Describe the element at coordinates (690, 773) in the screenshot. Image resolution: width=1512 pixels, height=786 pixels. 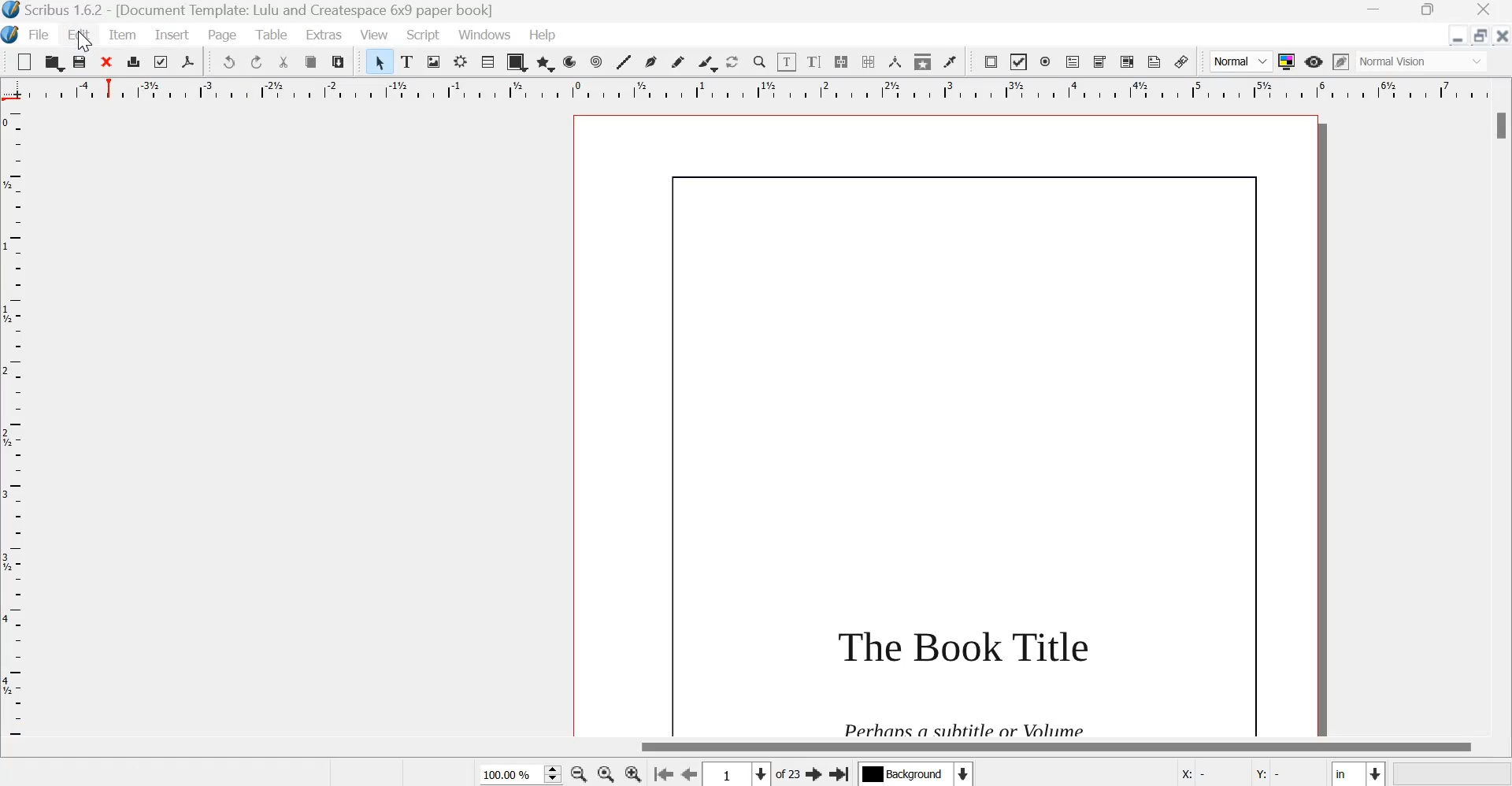
I see `Go to the previous page` at that location.